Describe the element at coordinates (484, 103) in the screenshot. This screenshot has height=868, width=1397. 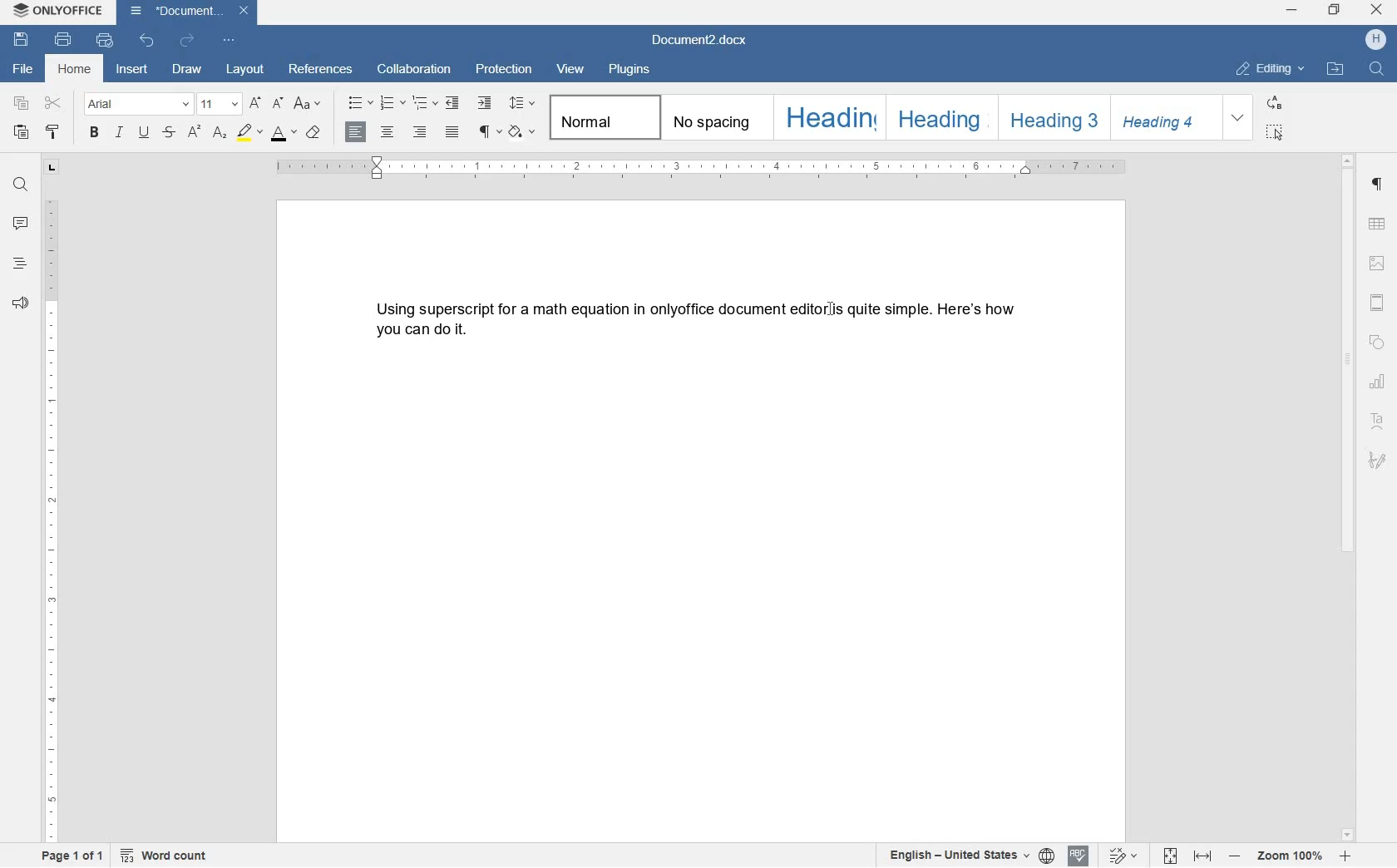
I see `increase indent` at that location.